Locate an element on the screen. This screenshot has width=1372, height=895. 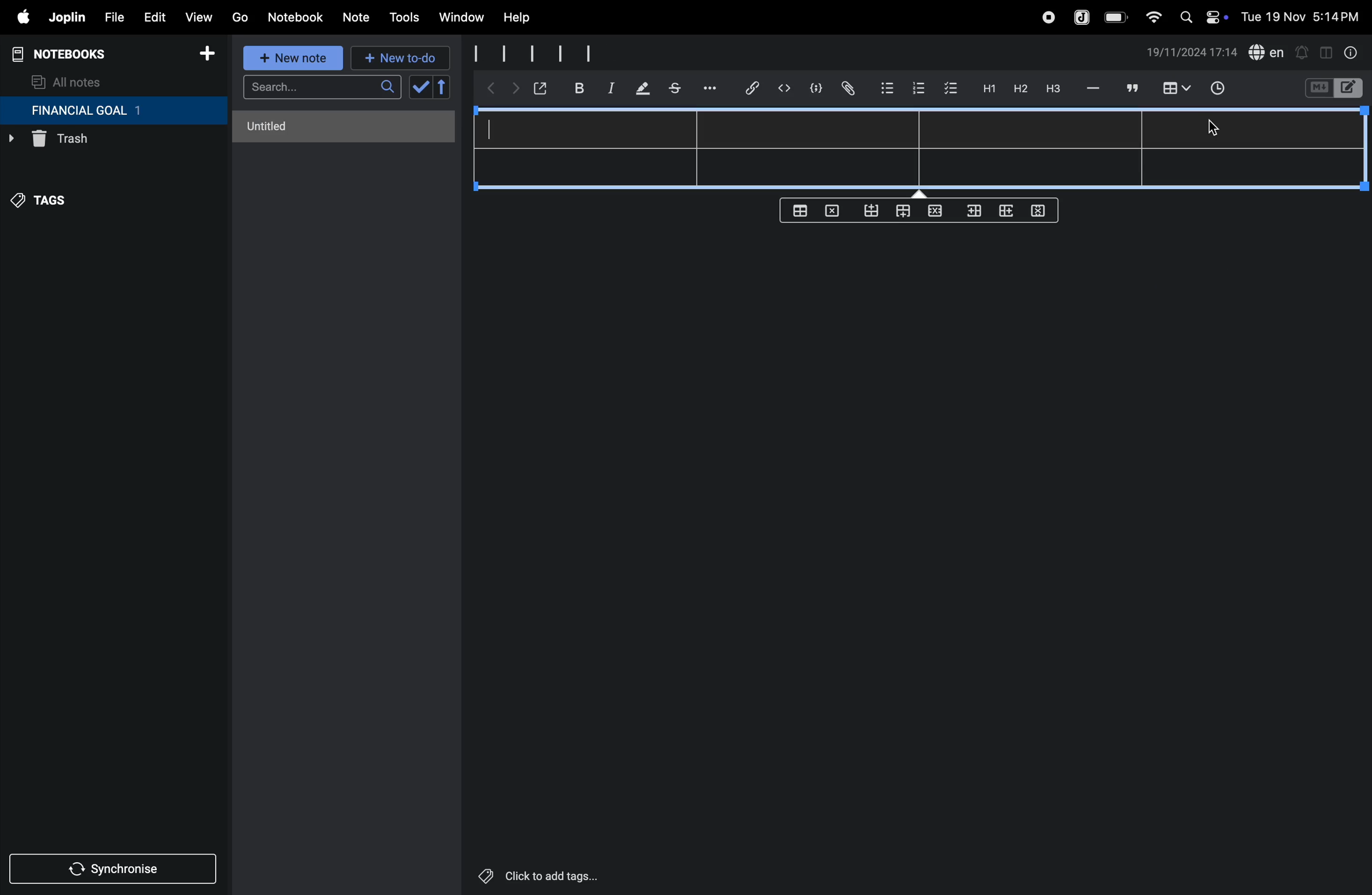
add is located at coordinates (207, 55).